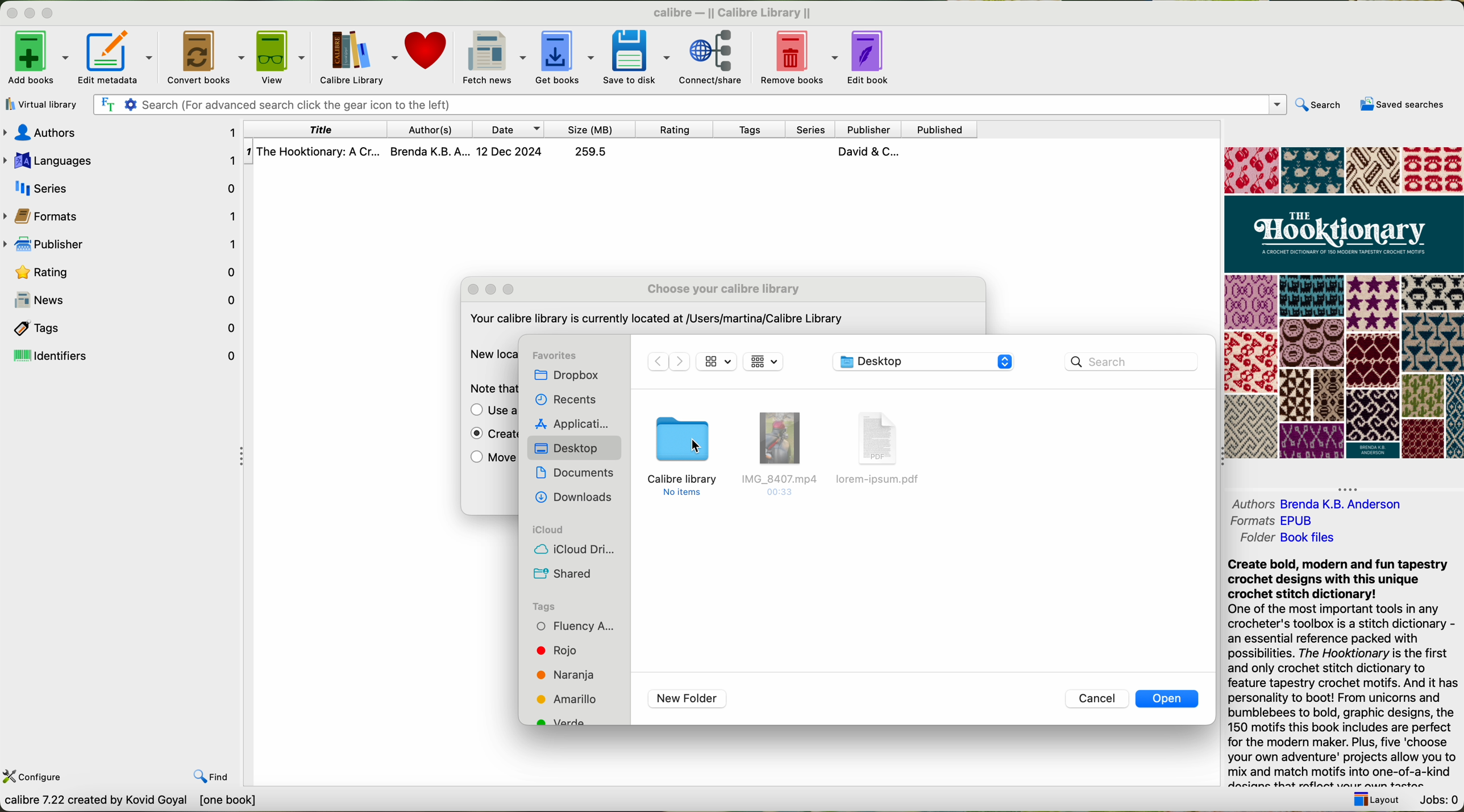 This screenshot has height=812, width=1464. I want to click on tag, so click(575, 628).